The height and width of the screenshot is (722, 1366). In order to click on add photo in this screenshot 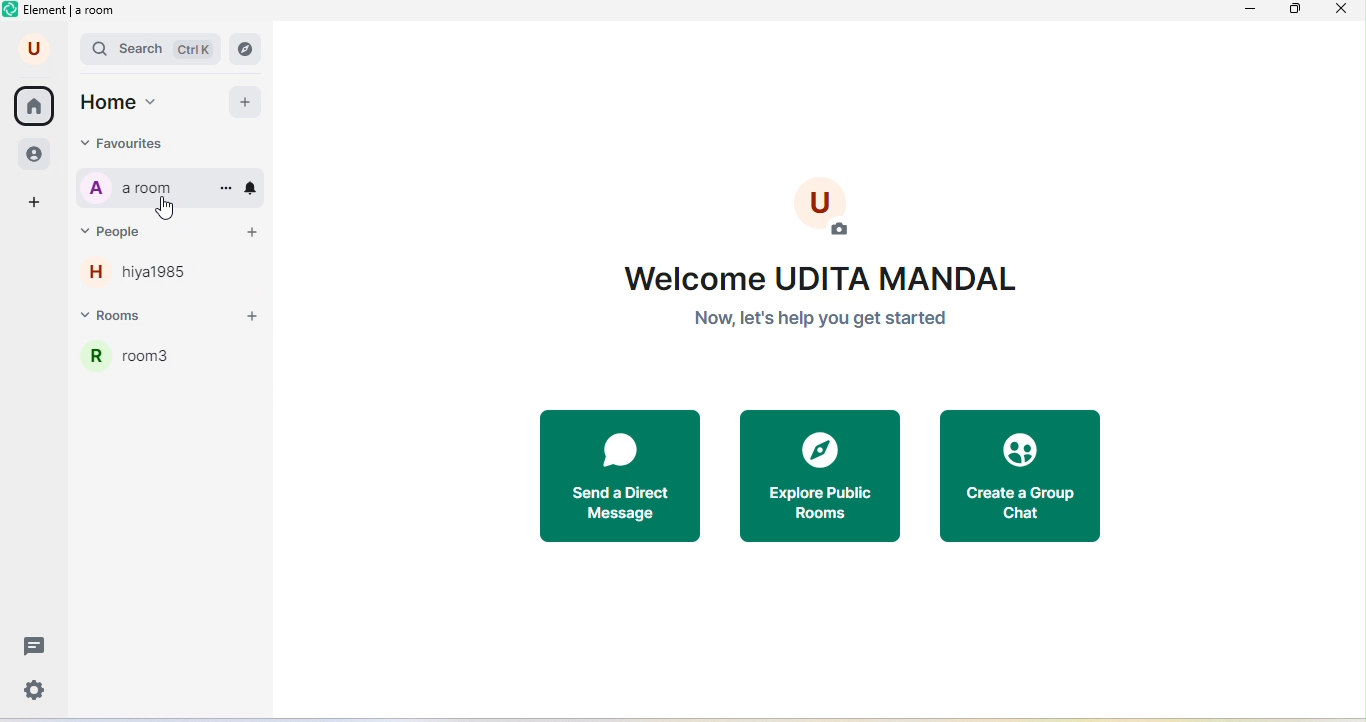, I will do `click(835, 206)`.